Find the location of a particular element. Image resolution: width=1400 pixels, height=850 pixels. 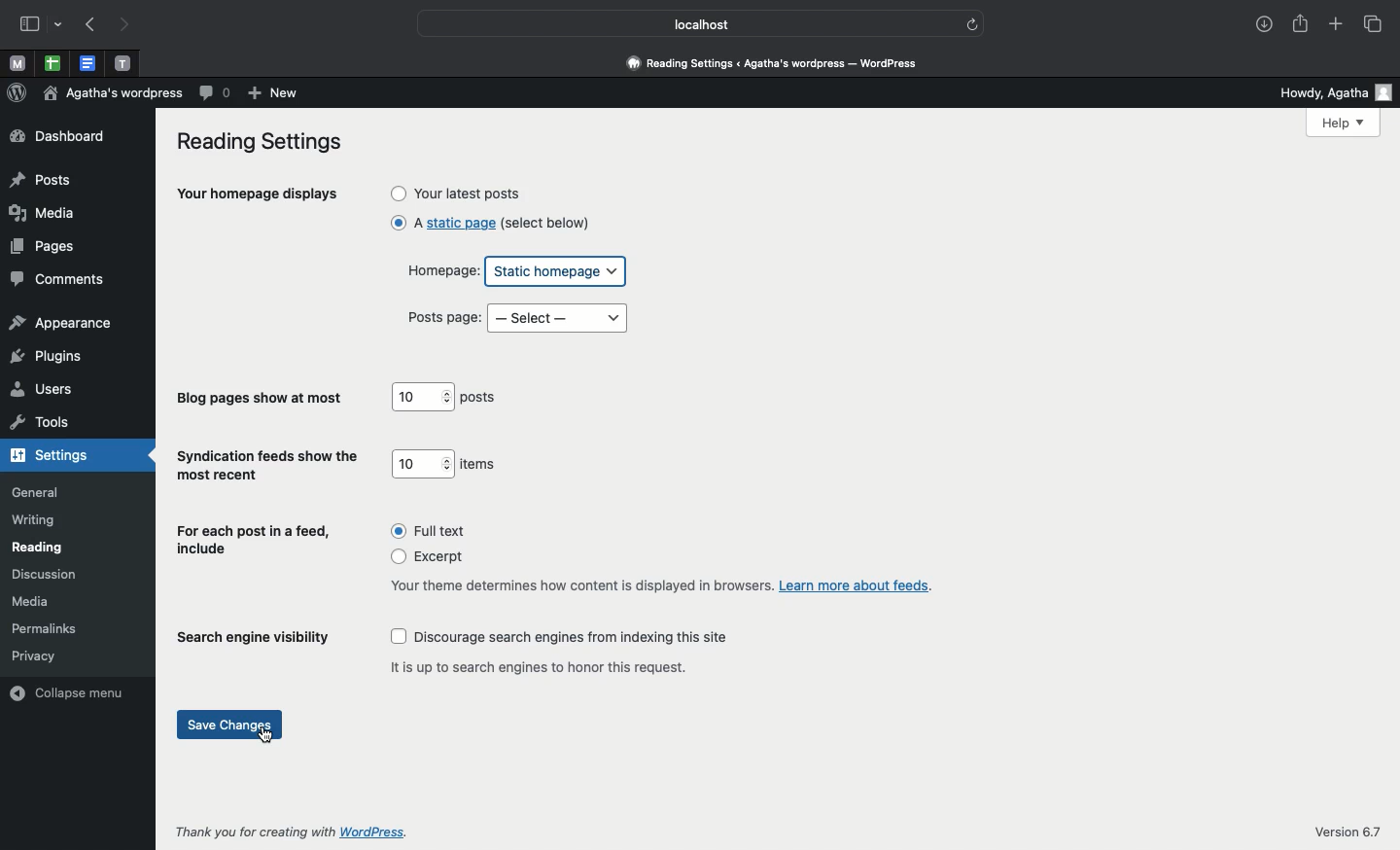

It is up to search engines to honor this request is located at coordinates (545, 666).